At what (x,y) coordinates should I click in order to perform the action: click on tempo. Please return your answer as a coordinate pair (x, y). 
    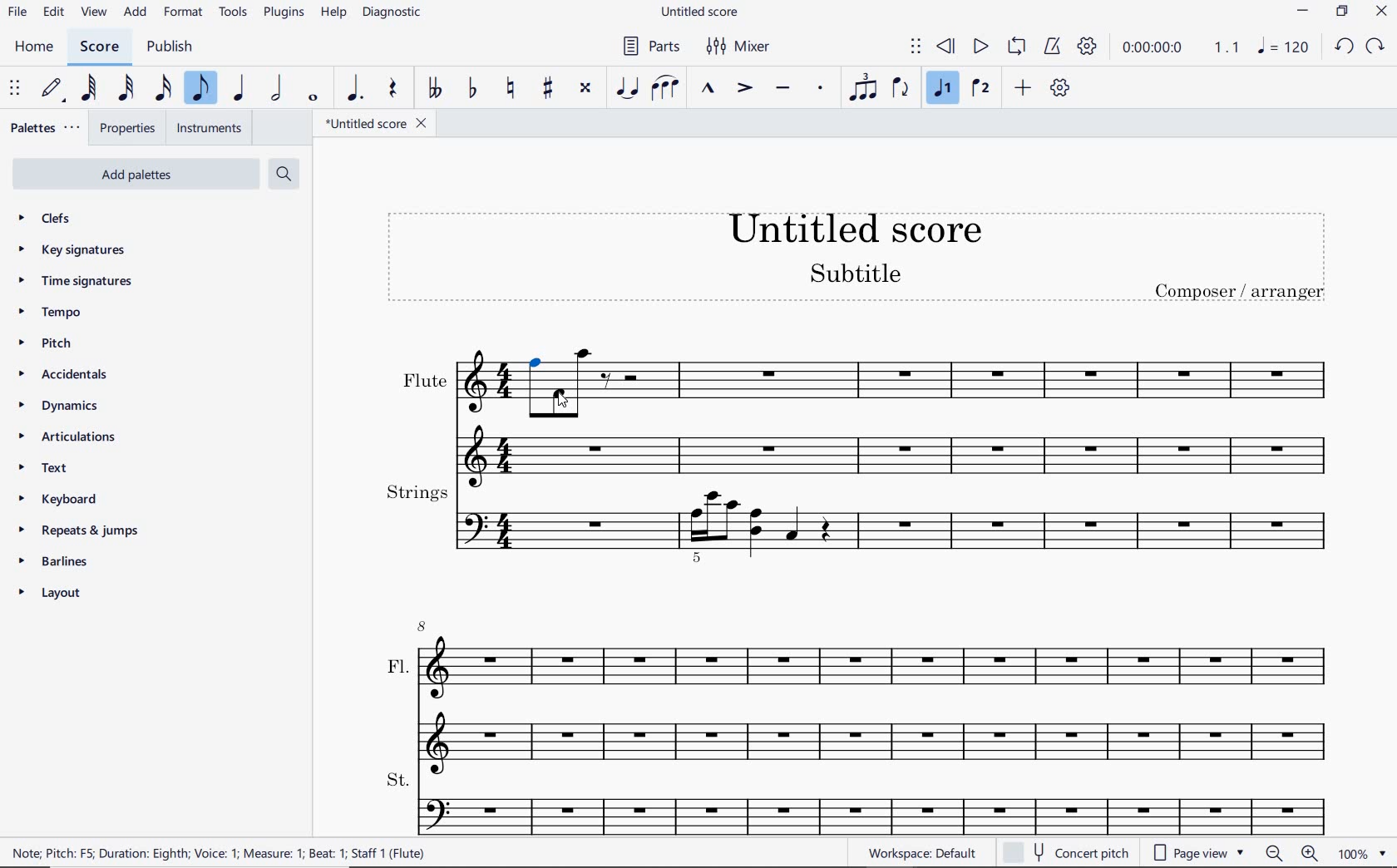
    Looking at the image, I should click on (51, 312).